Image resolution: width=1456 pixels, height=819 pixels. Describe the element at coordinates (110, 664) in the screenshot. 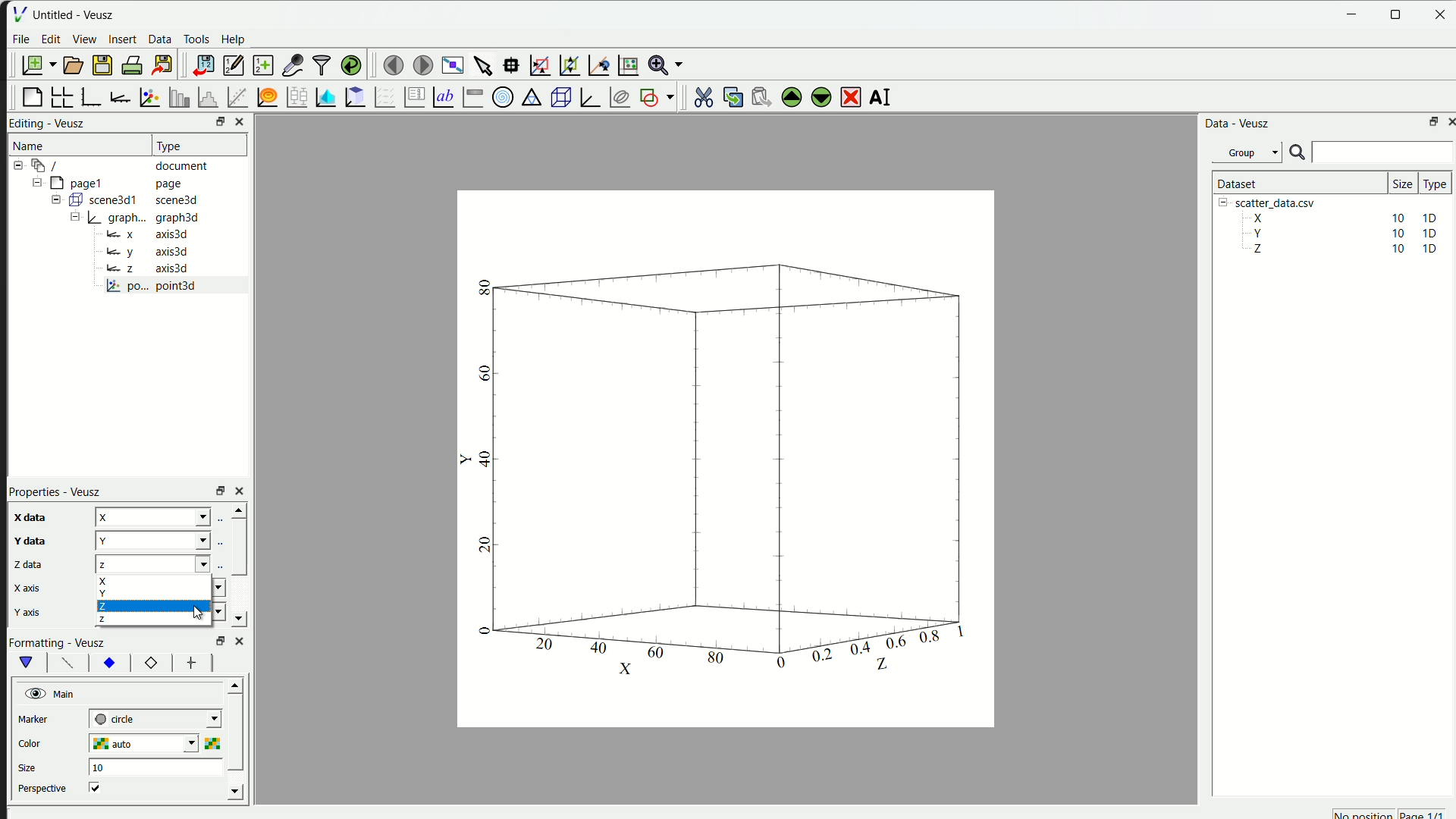

I see `xy` at that location.